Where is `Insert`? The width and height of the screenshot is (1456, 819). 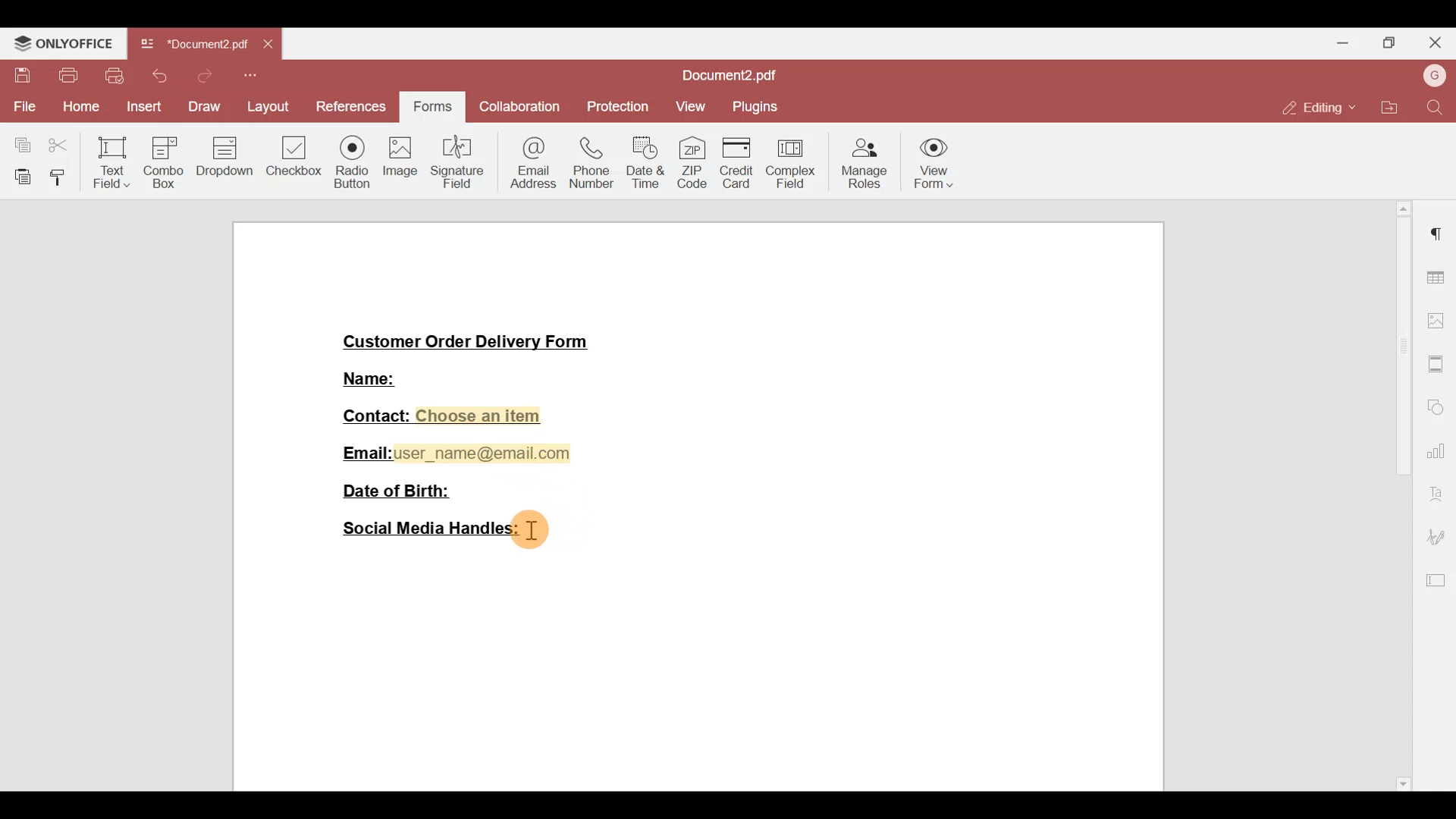
Insert is located at coordinates (142, 108).